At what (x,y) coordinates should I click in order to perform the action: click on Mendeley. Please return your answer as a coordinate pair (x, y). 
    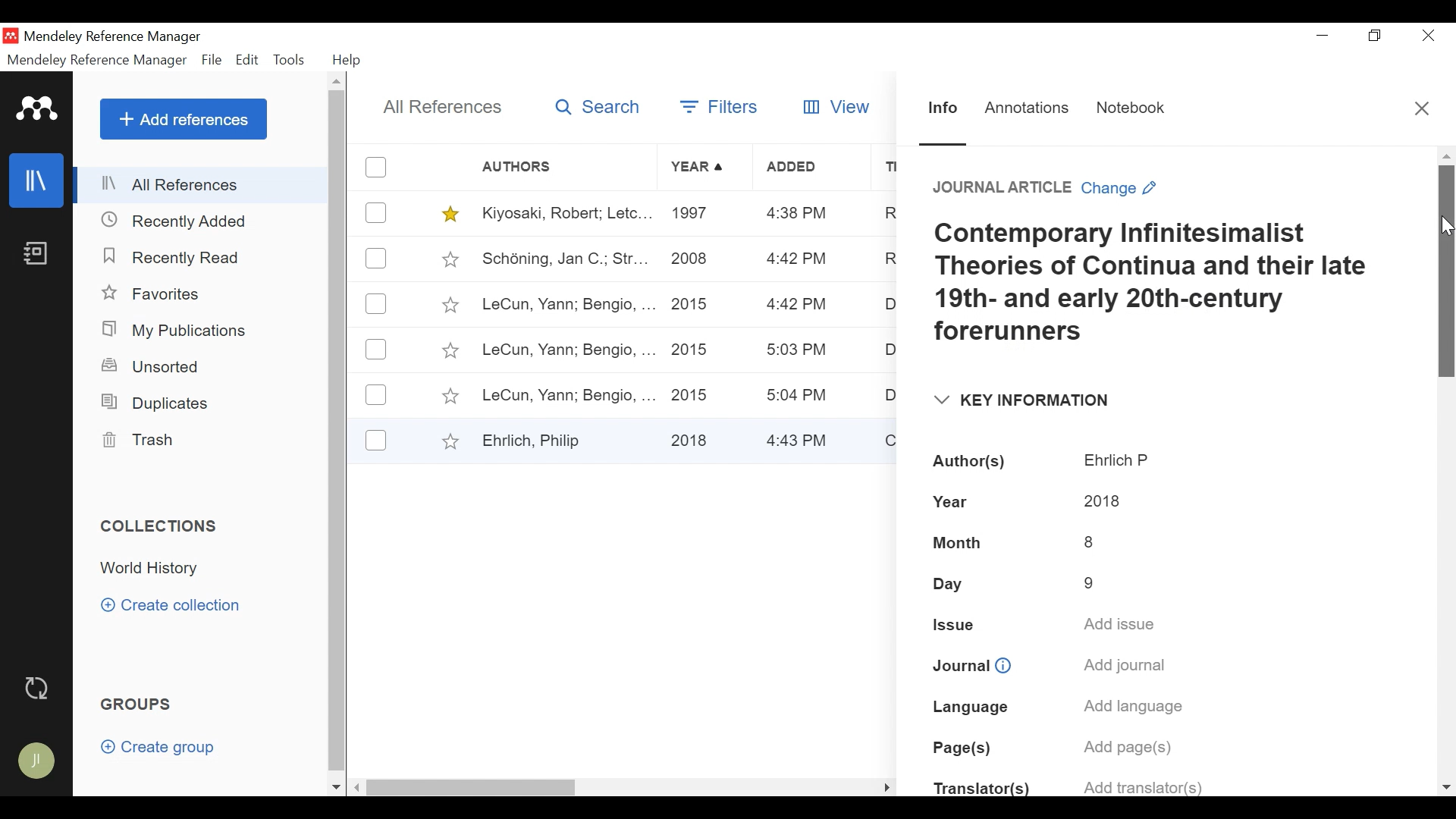
    Looking at the image, I should click on (38, 108).